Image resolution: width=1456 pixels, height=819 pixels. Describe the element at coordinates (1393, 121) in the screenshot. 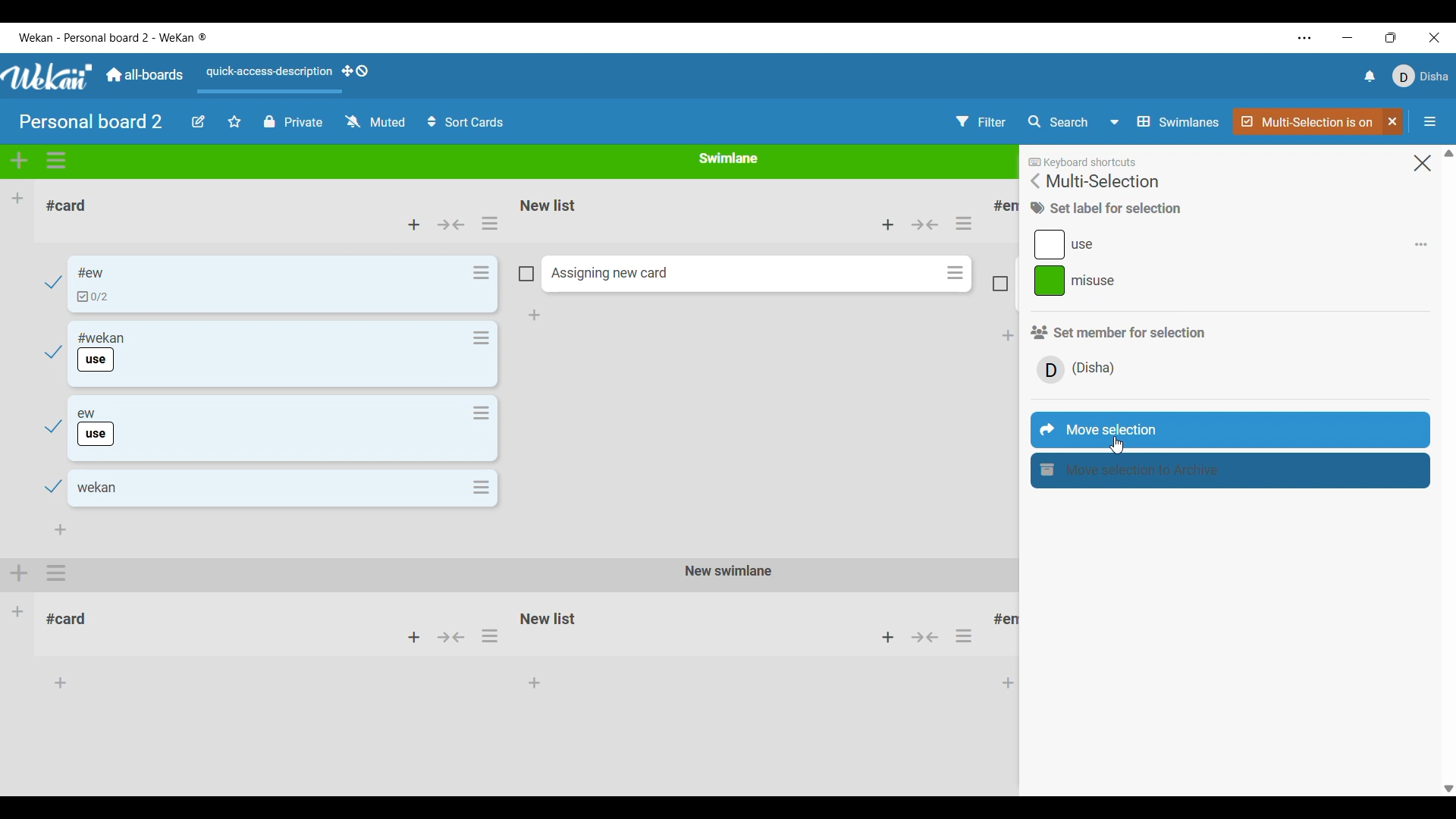

I see `Click to unselect multi-selection` at that location.